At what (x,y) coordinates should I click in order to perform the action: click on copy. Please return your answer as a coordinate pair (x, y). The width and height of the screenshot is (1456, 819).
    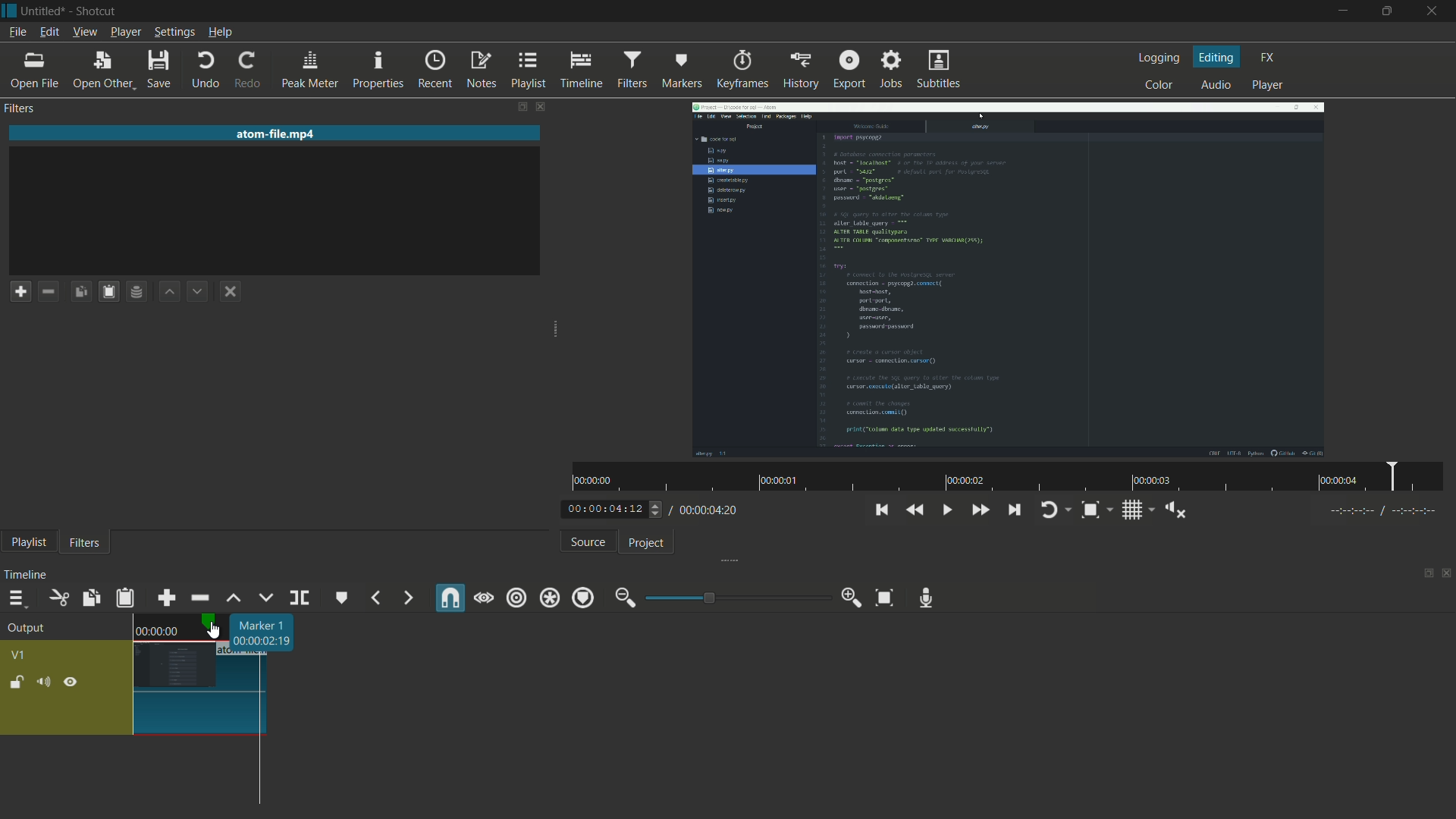
    Looking at the image, I should click on (88, 598).